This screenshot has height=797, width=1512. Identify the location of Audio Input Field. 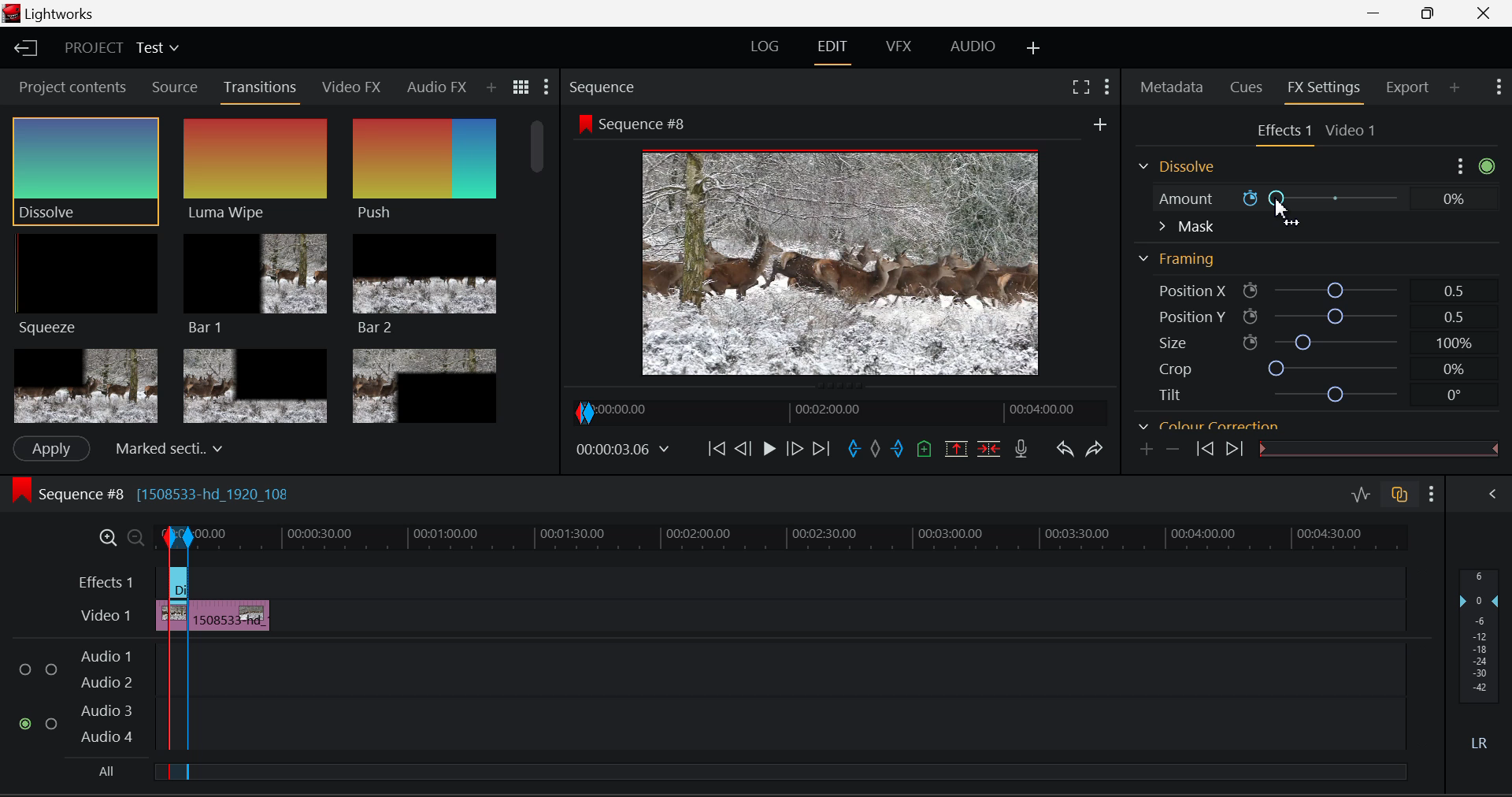
(798, 724).